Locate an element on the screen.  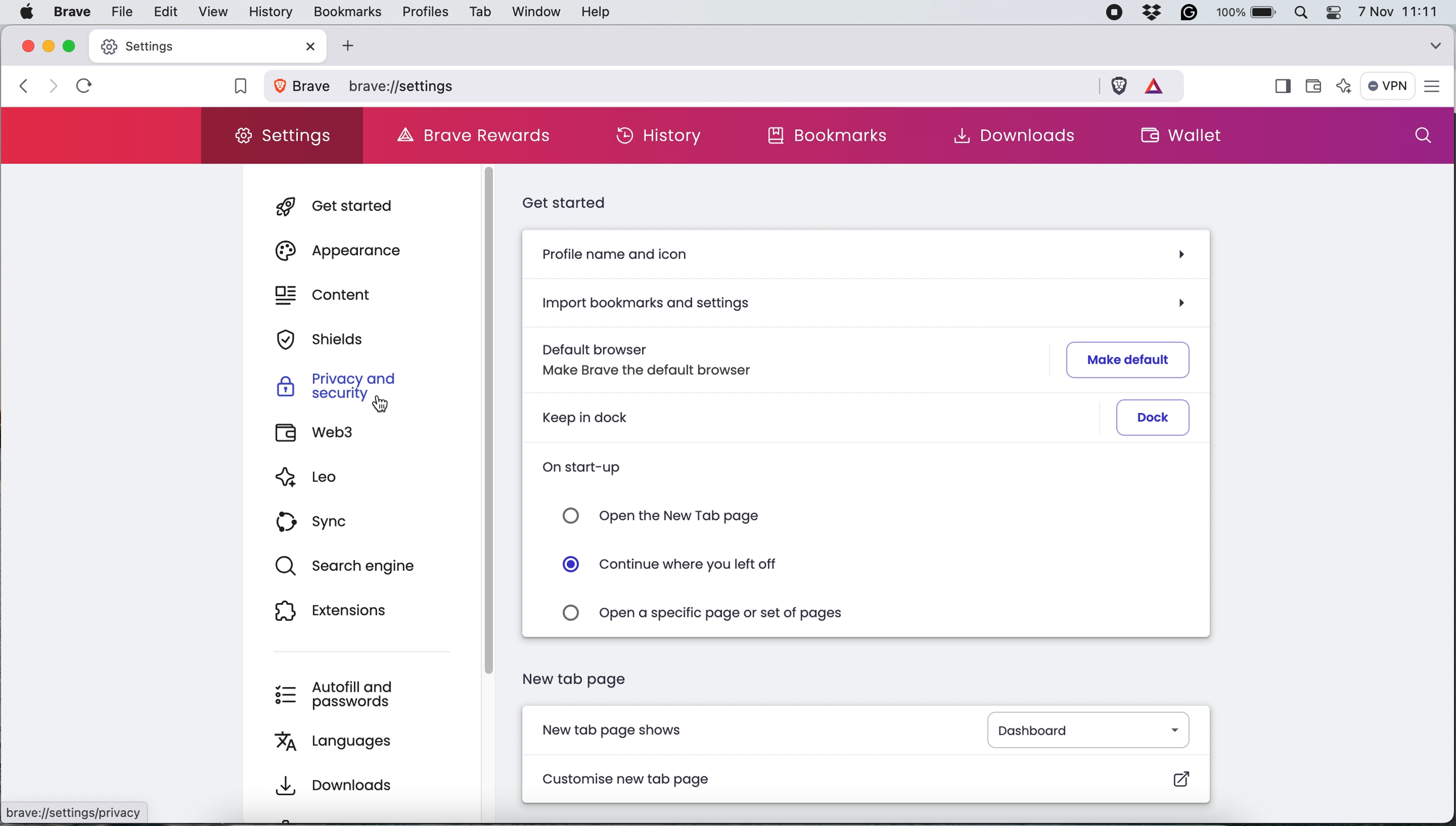
settings is located at coordinates (1437, 87).